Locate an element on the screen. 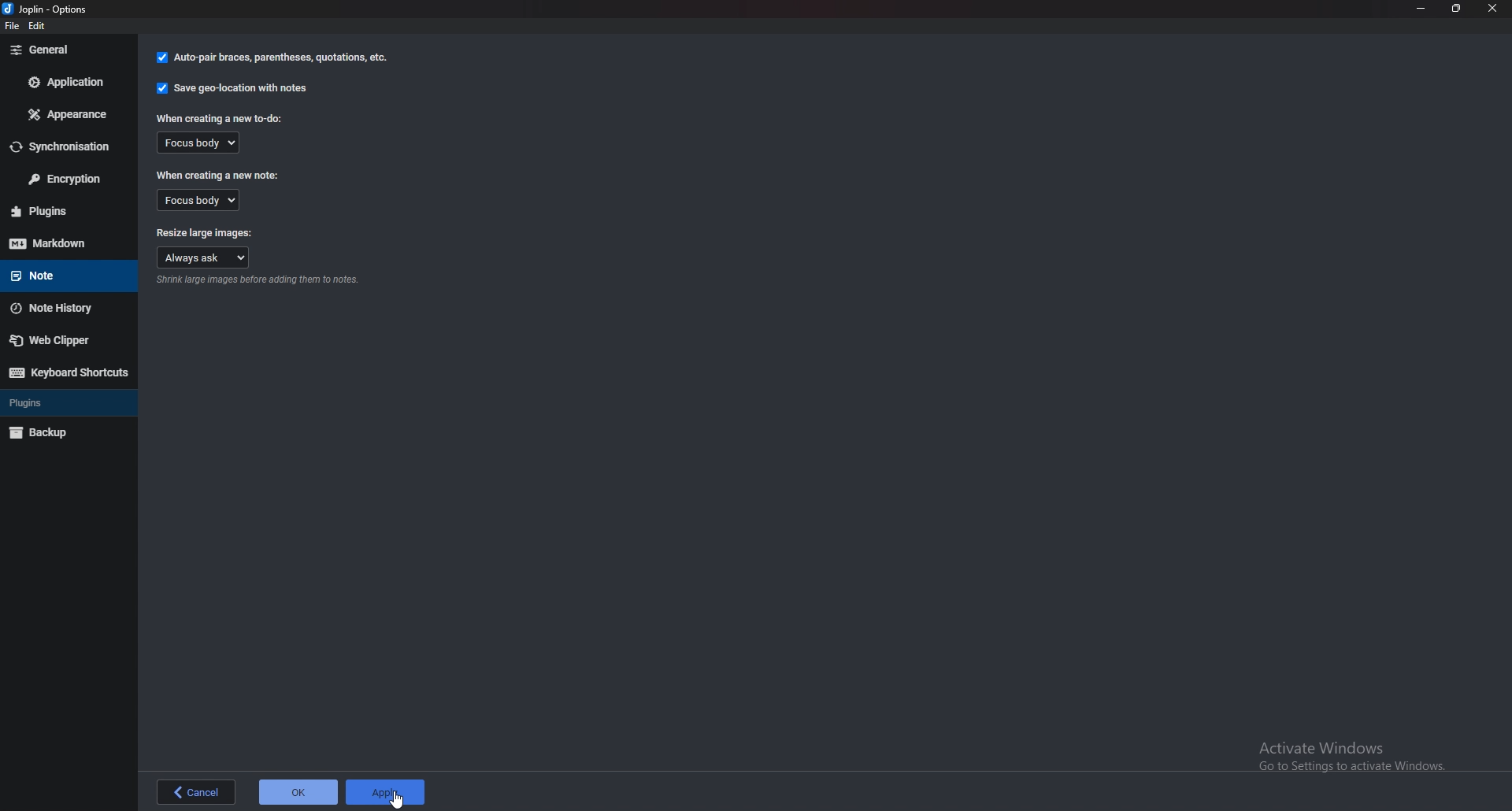 The width and height of the screenshot is (1512, 811). note is located at coordinates (60, 275).